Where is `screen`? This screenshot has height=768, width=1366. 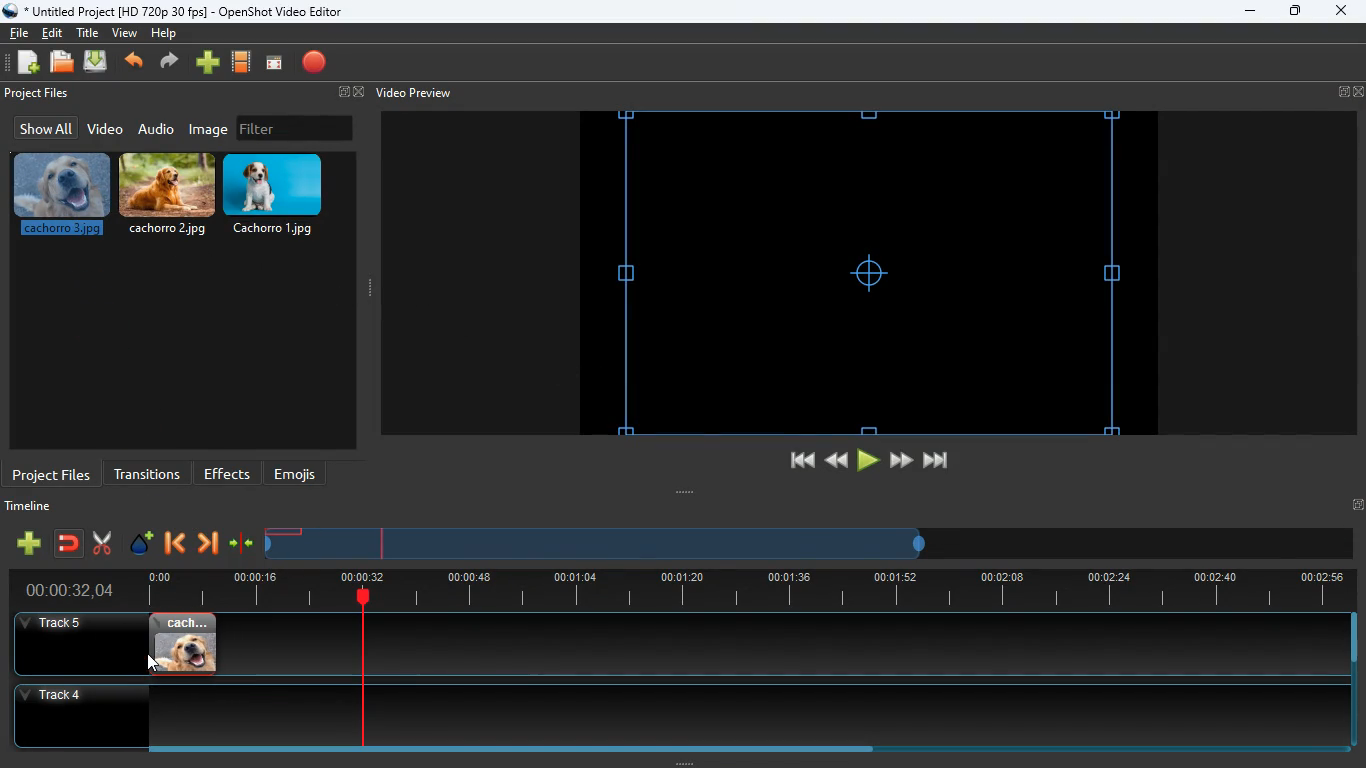 screen is located at coordinates (274, 64).